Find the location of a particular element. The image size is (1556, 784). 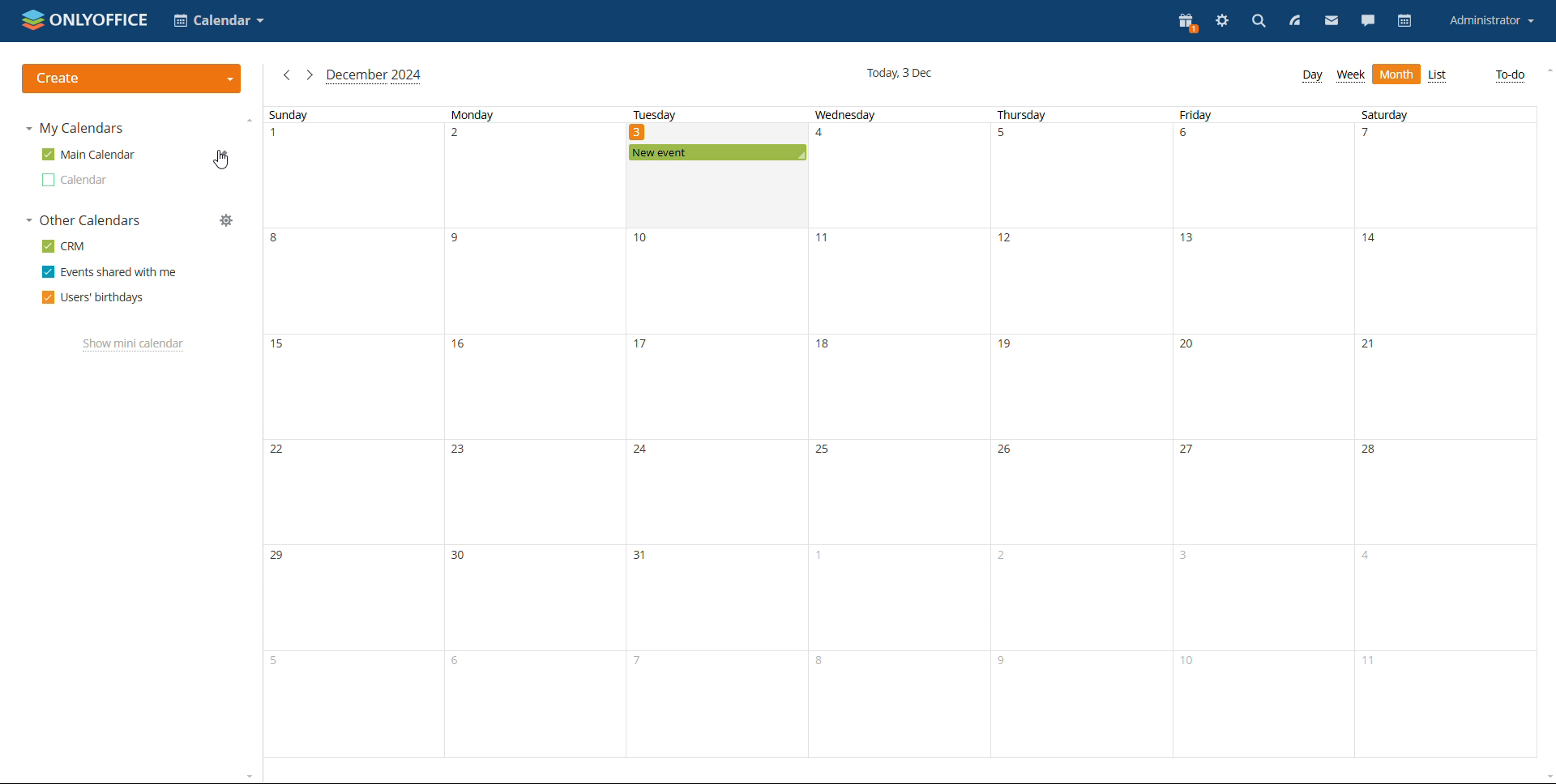

date is located at coordinates (1443, 491).